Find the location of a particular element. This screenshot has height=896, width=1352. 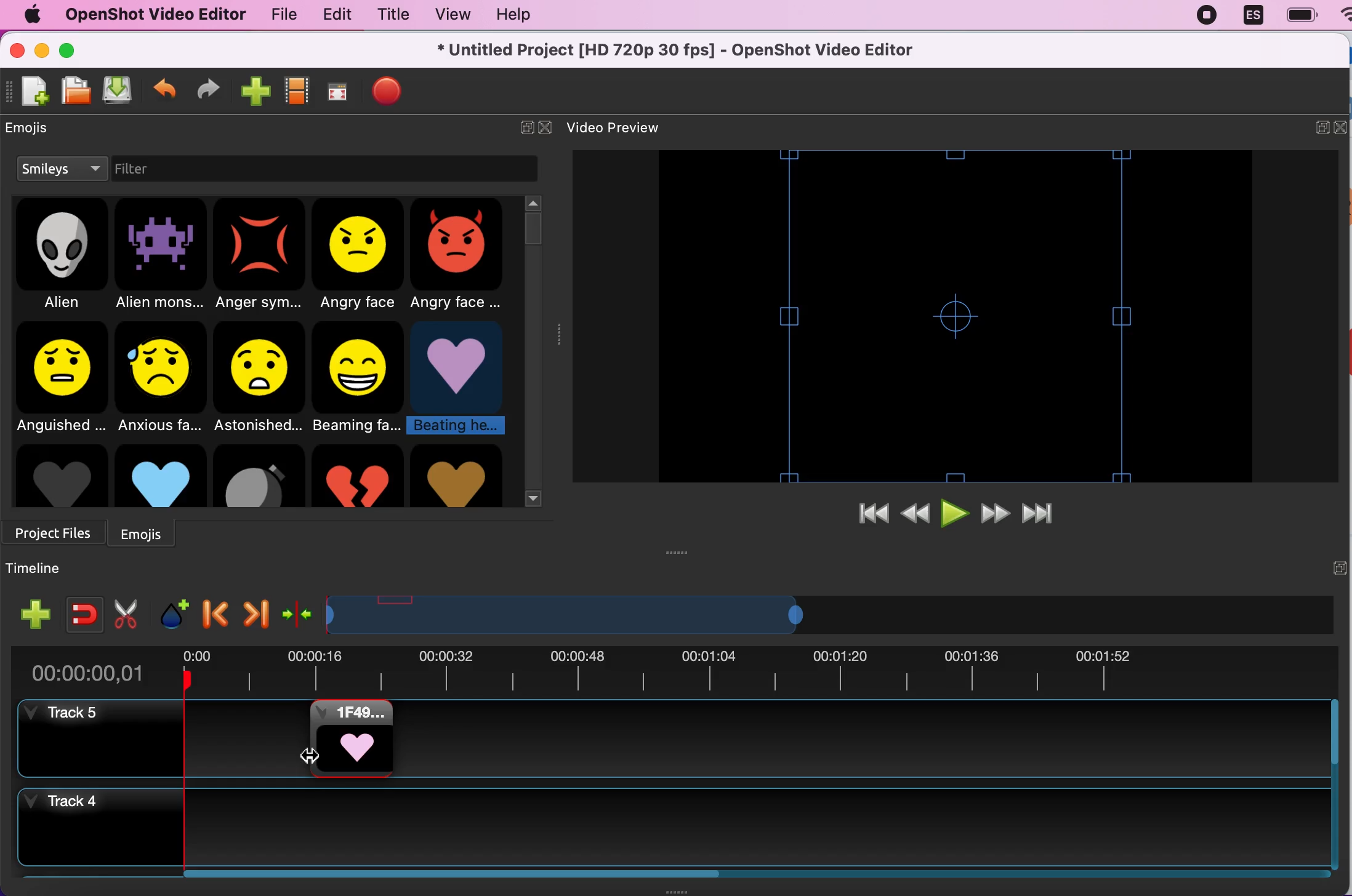

* Untitled Project [HD 720p 30 fps] - OpenShot Video Editor is located at coordinates (680, 49).